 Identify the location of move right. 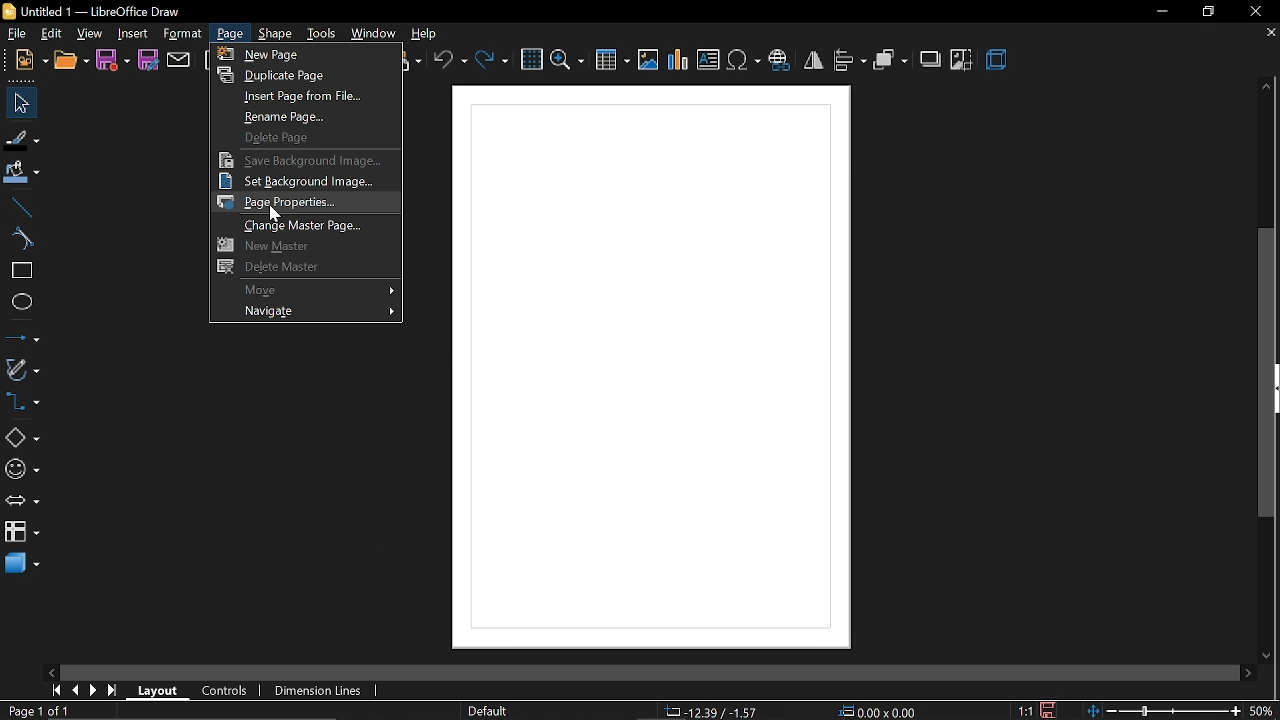
(1246, 671).